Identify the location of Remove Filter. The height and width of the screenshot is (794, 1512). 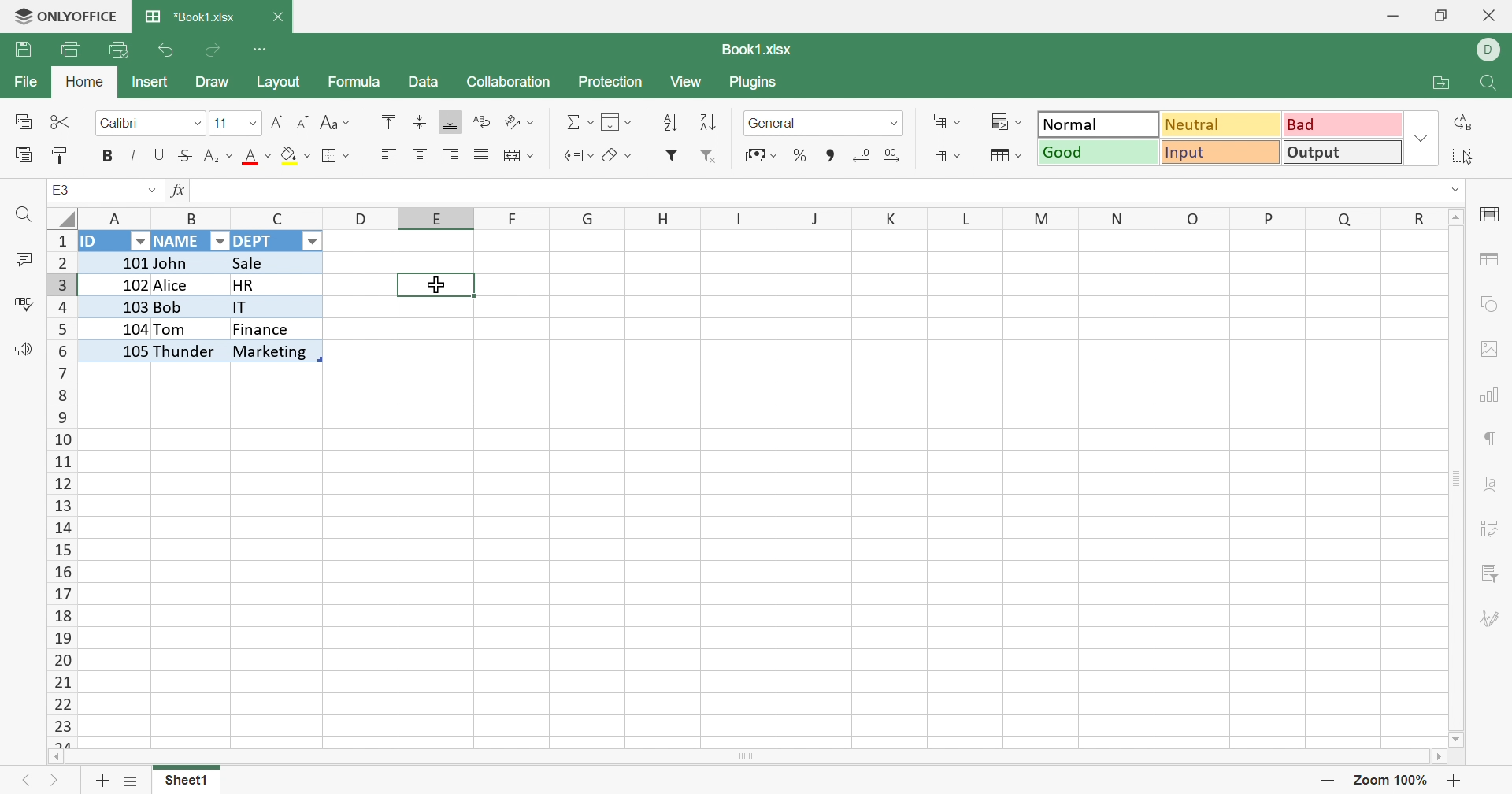
(707, 155).